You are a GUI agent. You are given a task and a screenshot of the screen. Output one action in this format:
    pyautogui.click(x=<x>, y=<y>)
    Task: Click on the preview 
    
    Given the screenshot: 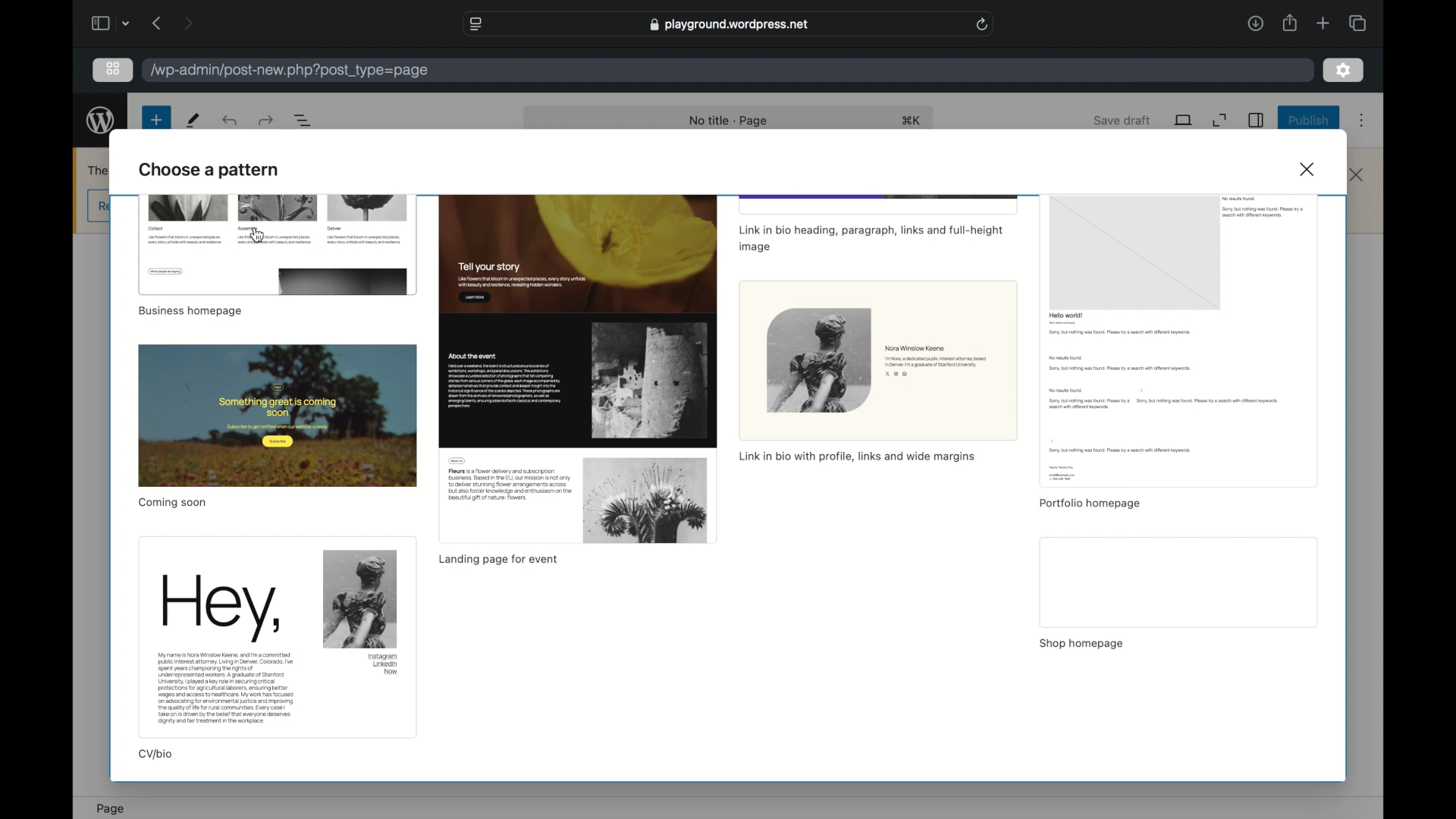 What is the action you would take?
    pyautogui.click(x=578, y=368)
    